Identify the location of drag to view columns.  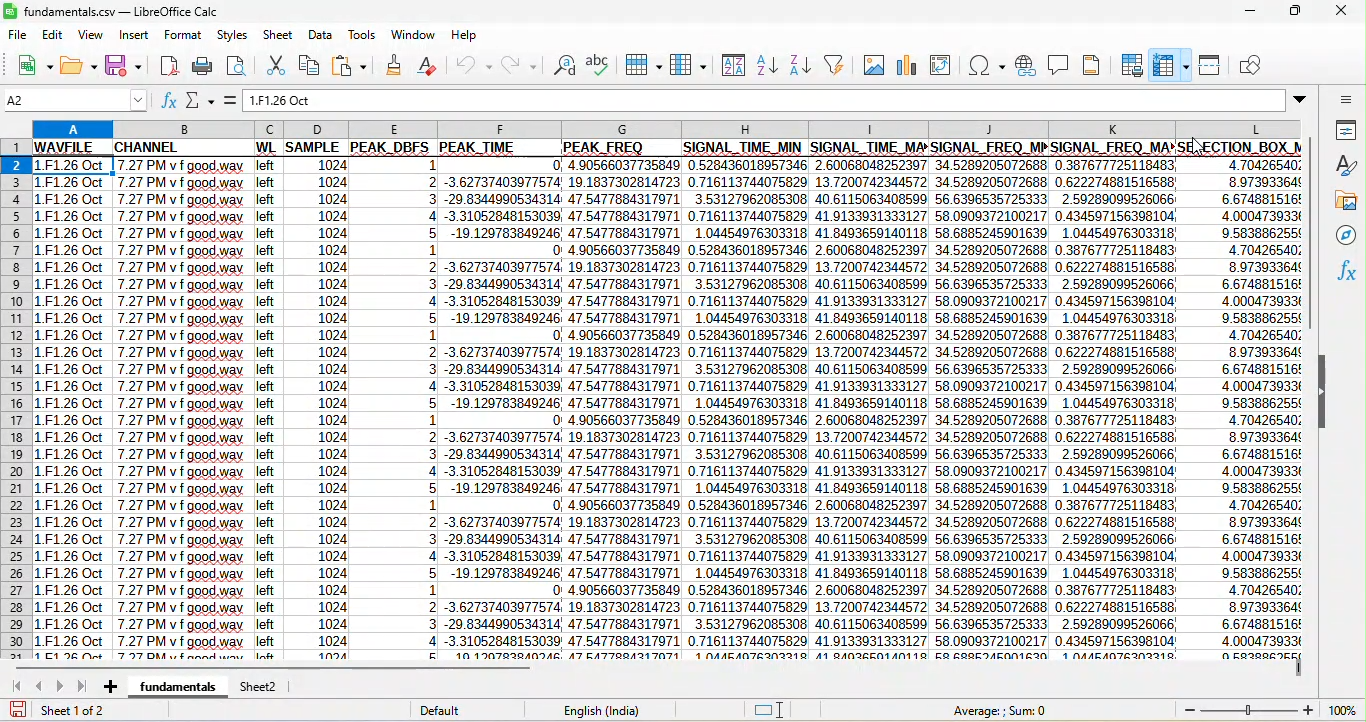
(1297, 674).